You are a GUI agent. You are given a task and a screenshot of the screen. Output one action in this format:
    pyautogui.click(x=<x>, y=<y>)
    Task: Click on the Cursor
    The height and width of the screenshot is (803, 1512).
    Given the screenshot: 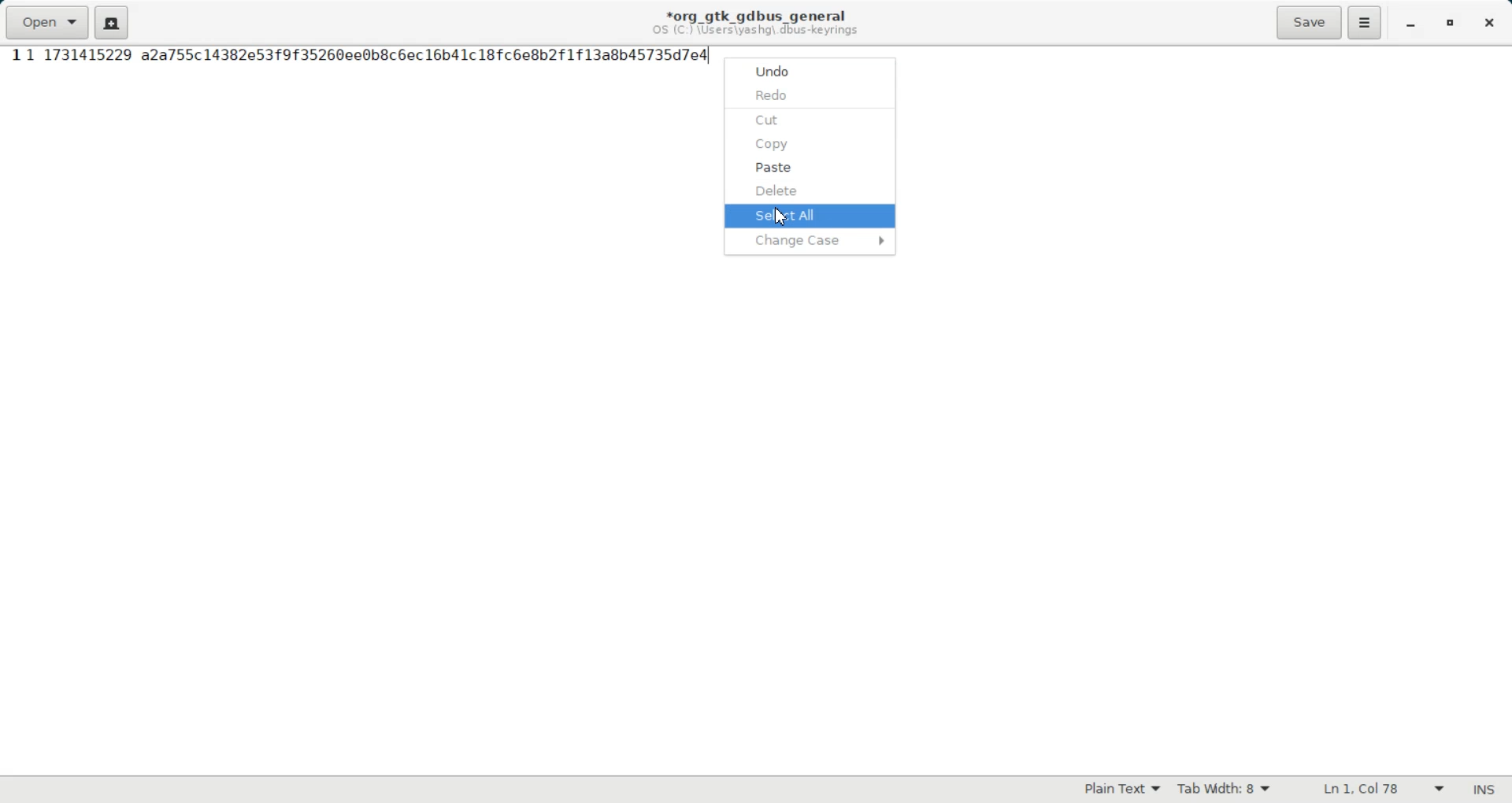 What is the action you would take?
    pyautogui.click(x=780, y=216)
    